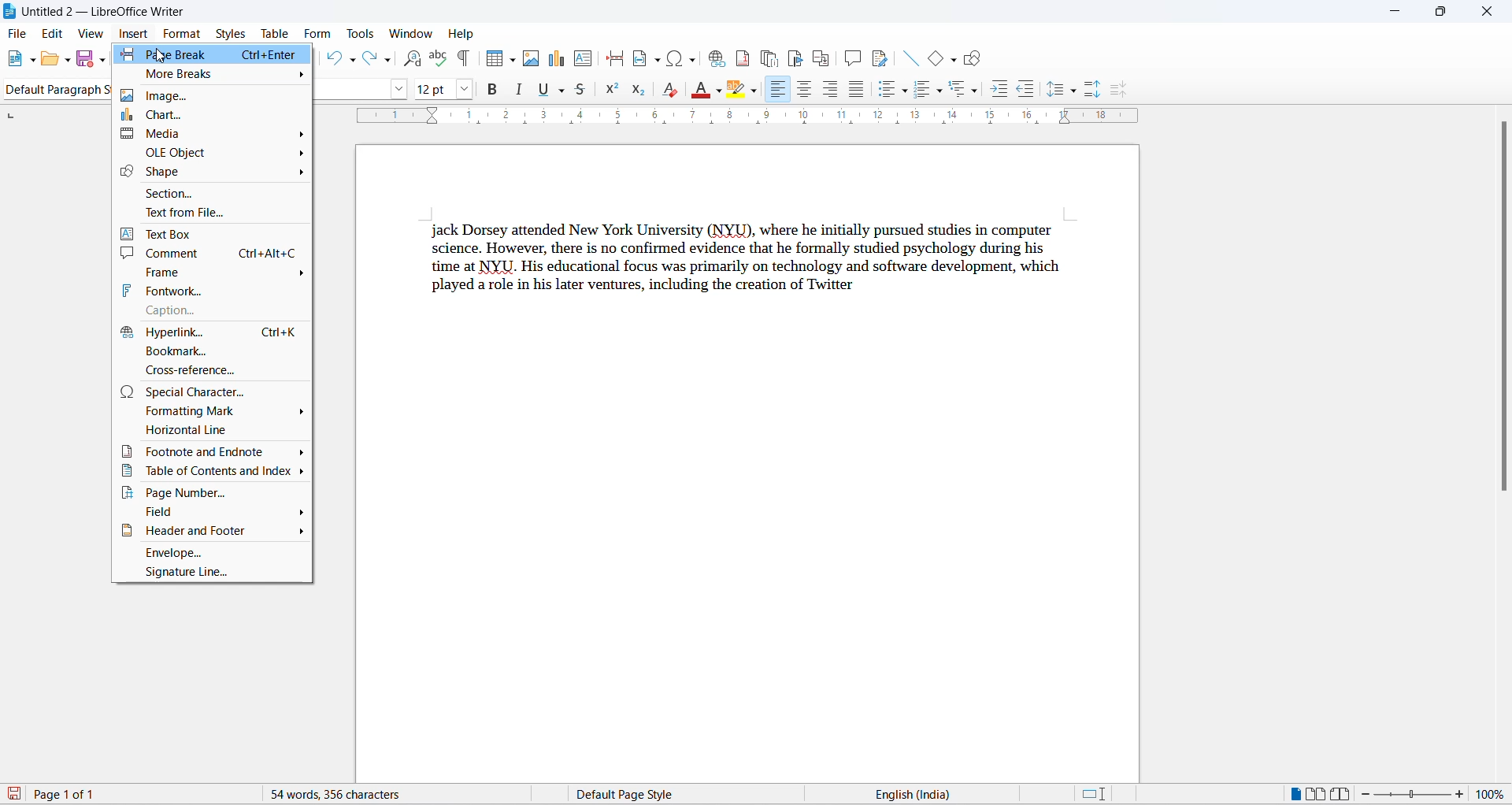 This screenshot has height=805, width=1512. Describe the element at coordinates (213, 212) in the screenshot. I see `text from file` at that location.